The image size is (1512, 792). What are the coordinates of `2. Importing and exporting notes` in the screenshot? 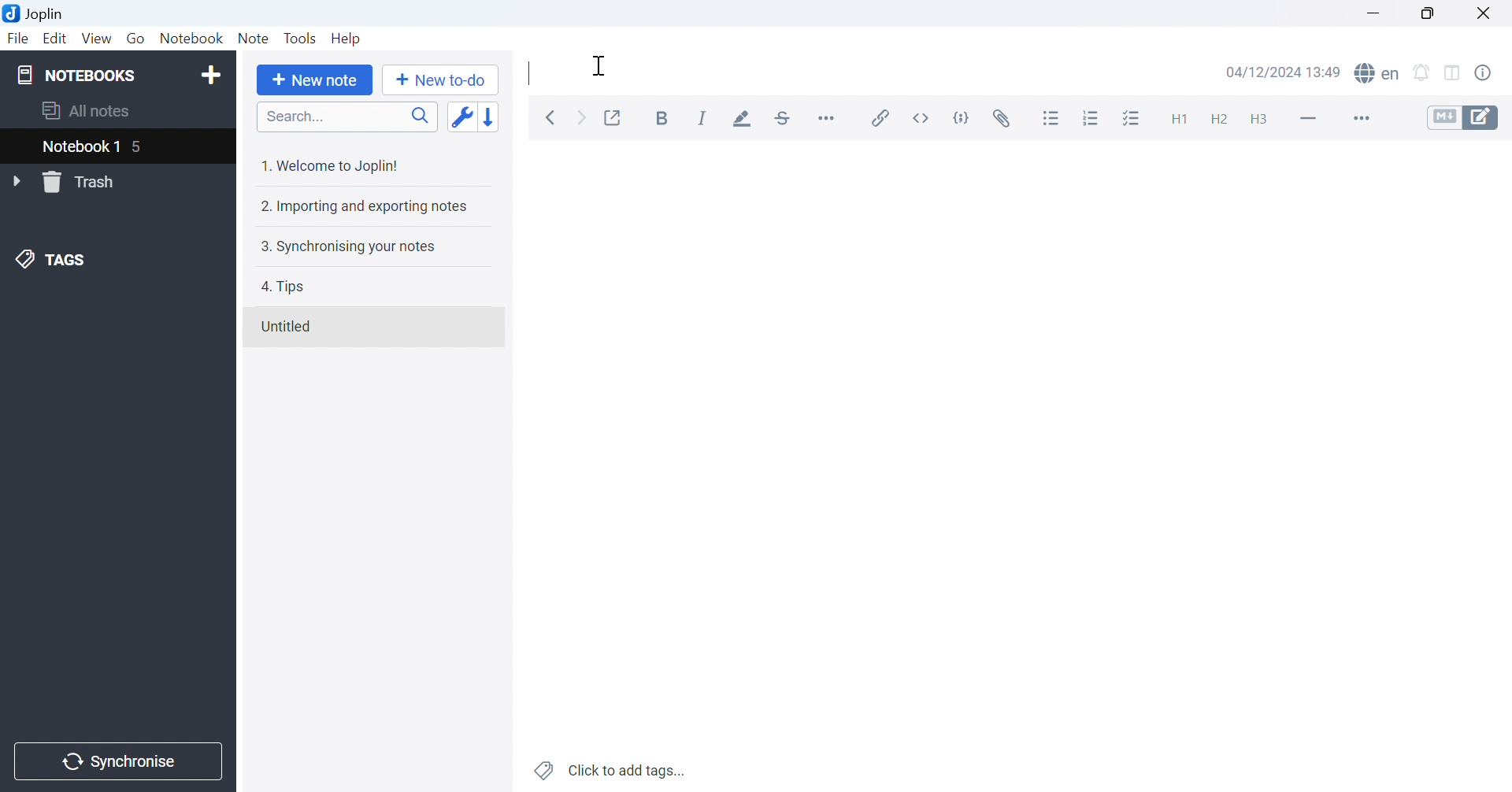 It's located at (365, 208).